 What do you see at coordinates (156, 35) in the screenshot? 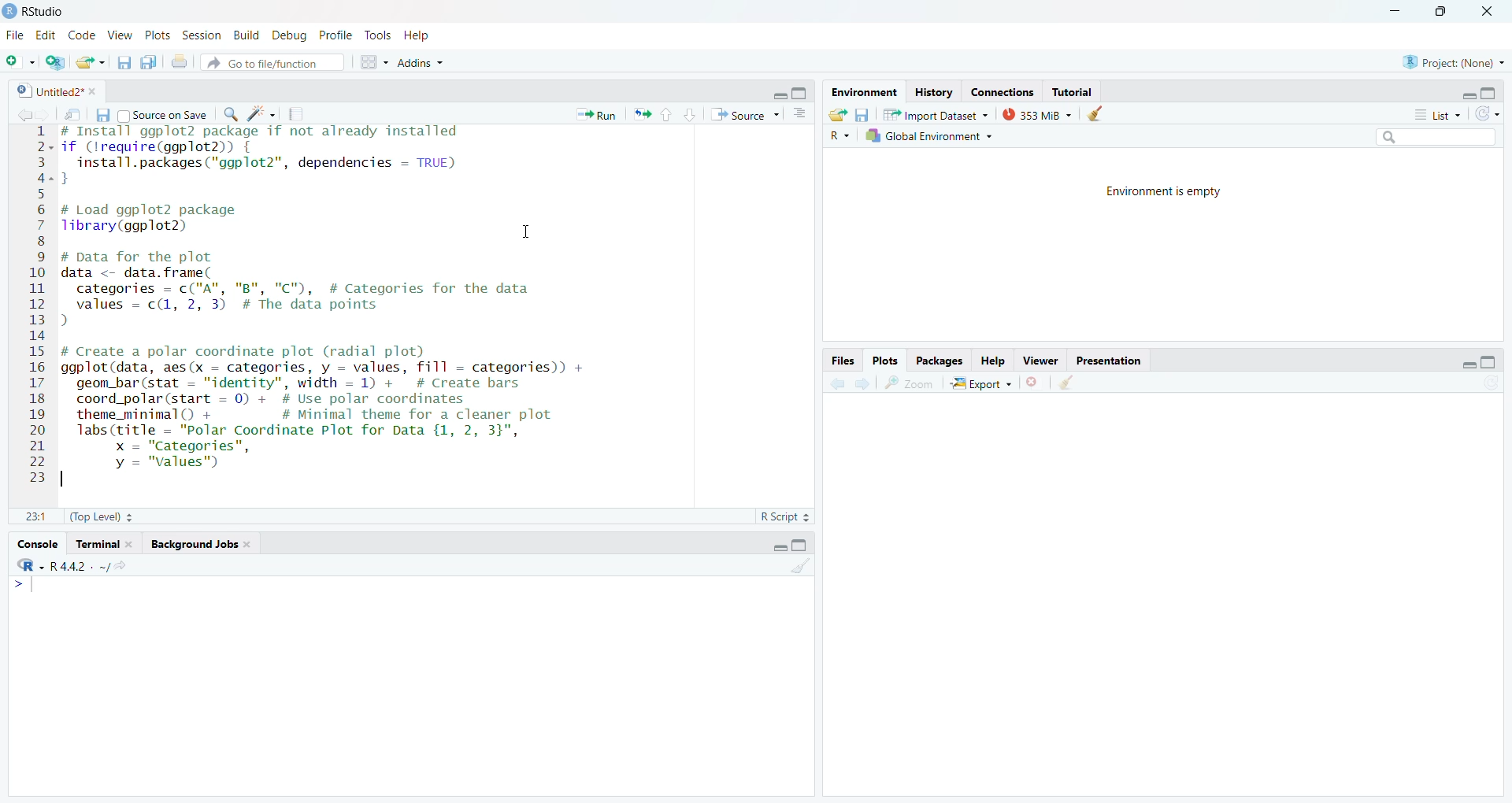
I see `Plots` at bounding box center [156, 35].